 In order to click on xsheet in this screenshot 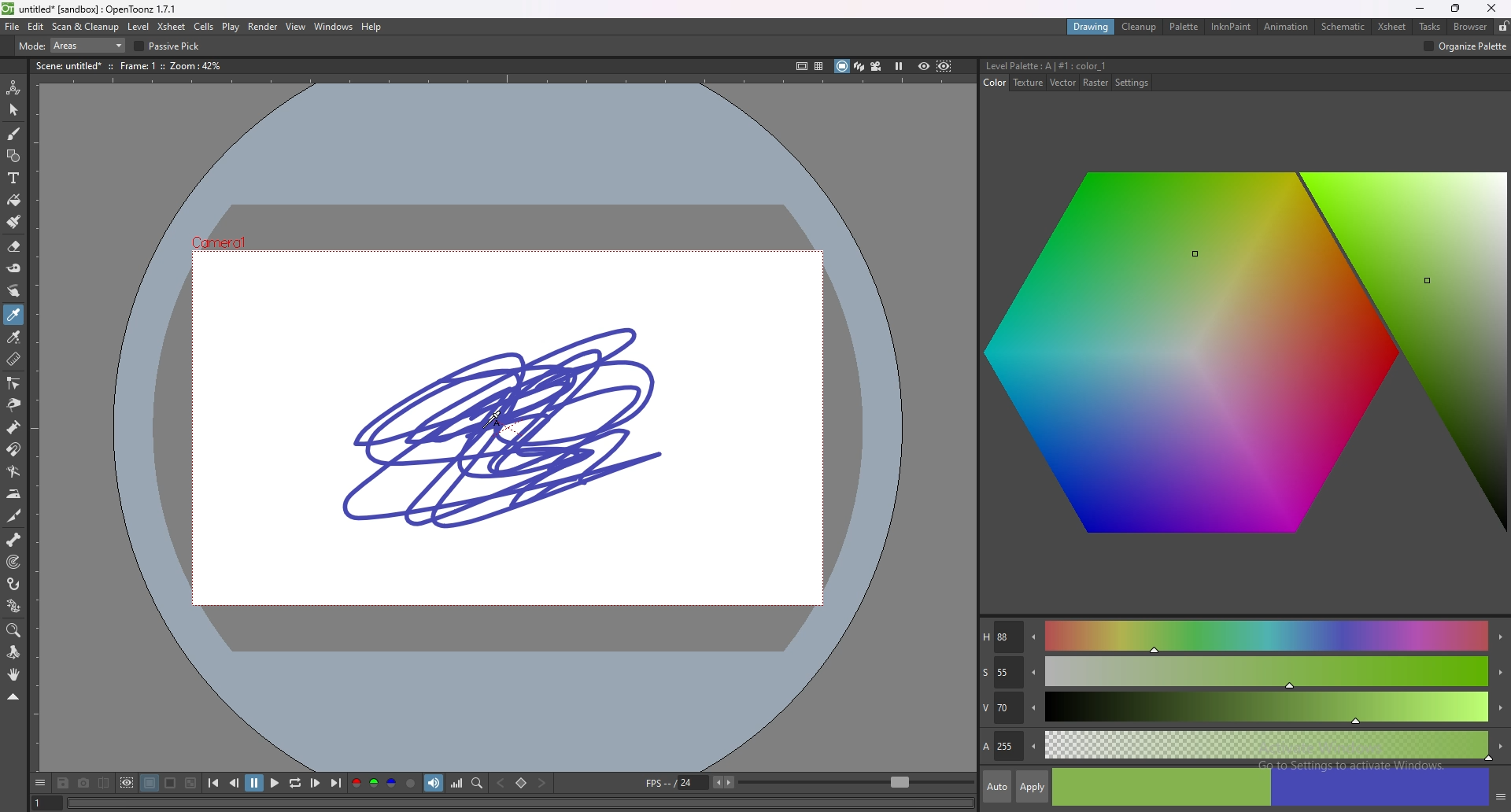, I will do `click(172, 27)`.